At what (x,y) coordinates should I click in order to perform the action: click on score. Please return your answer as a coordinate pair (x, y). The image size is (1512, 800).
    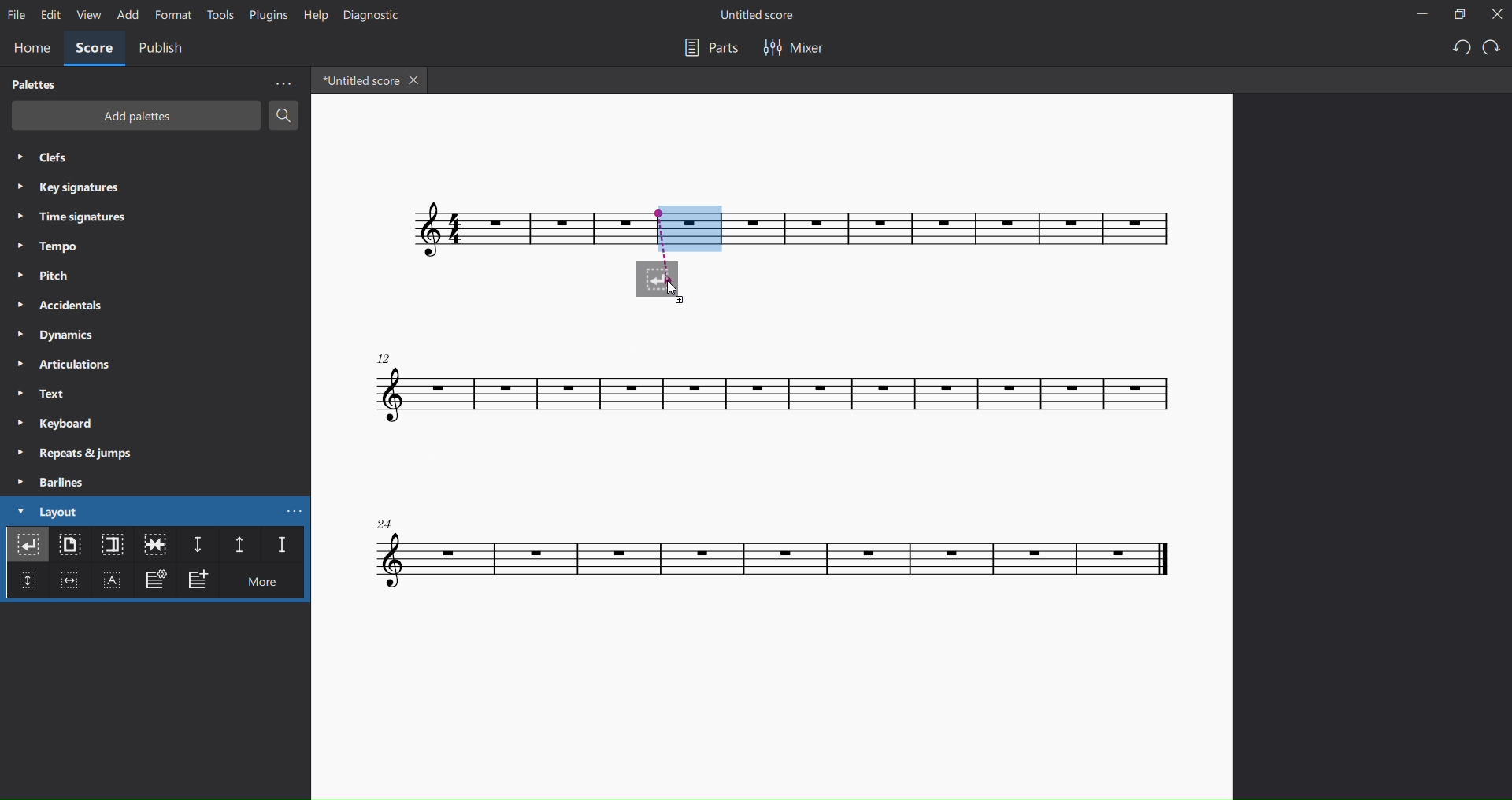
    Looking at the image, I should click on (782, 389).